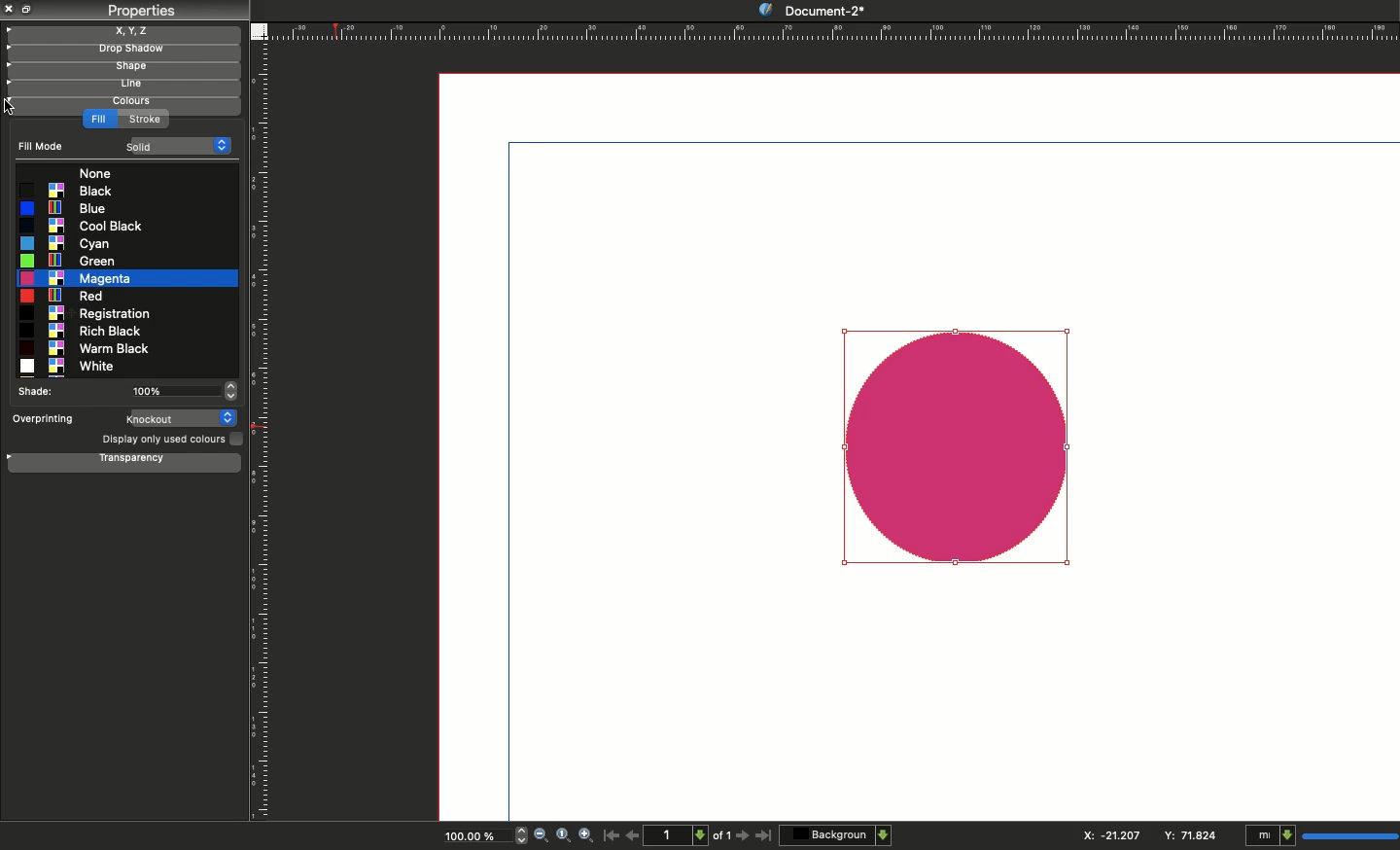  I want to click on Shade, so click(42, 390).